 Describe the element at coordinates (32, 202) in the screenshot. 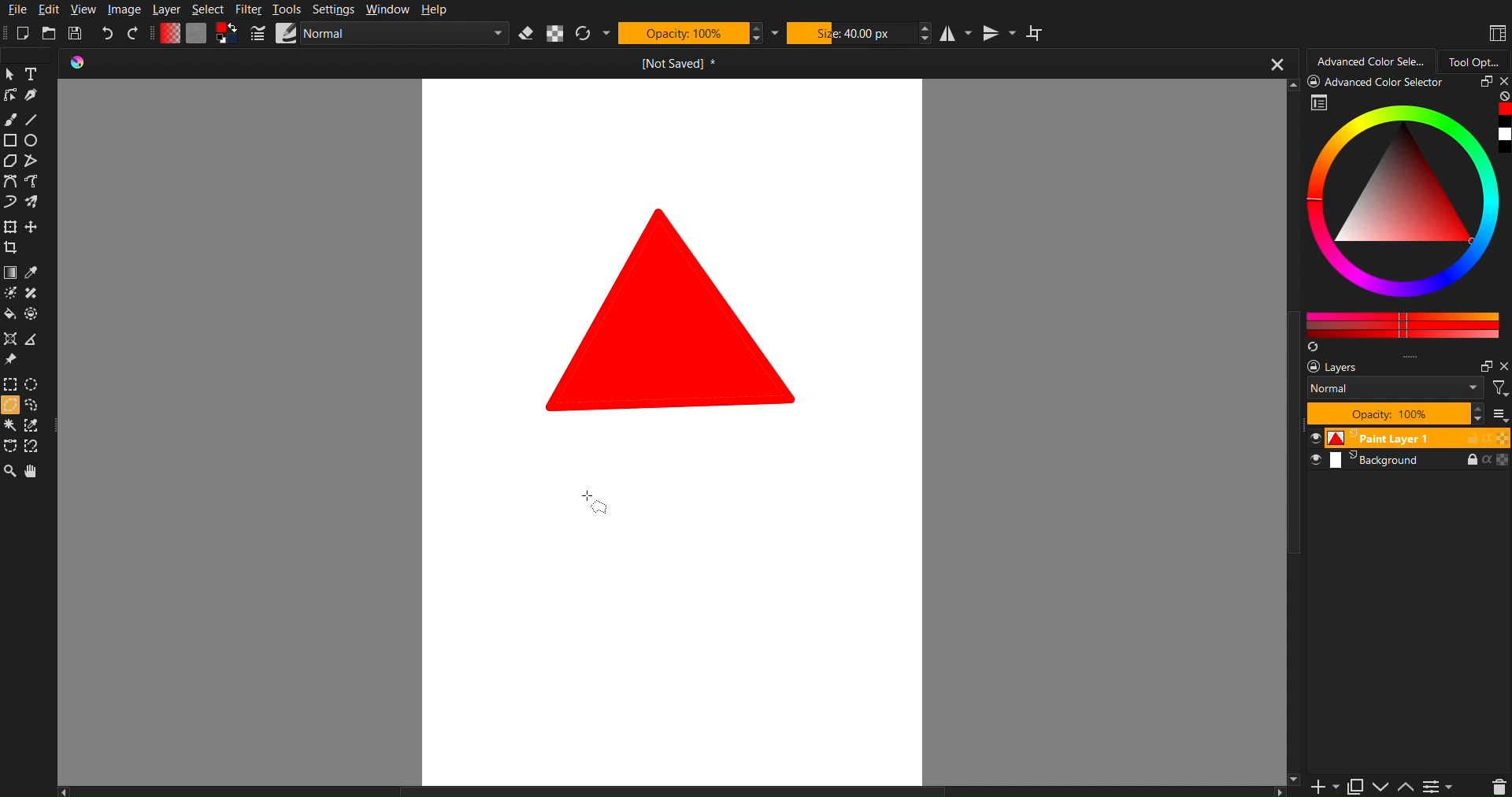

I see `Free shape` at that location.